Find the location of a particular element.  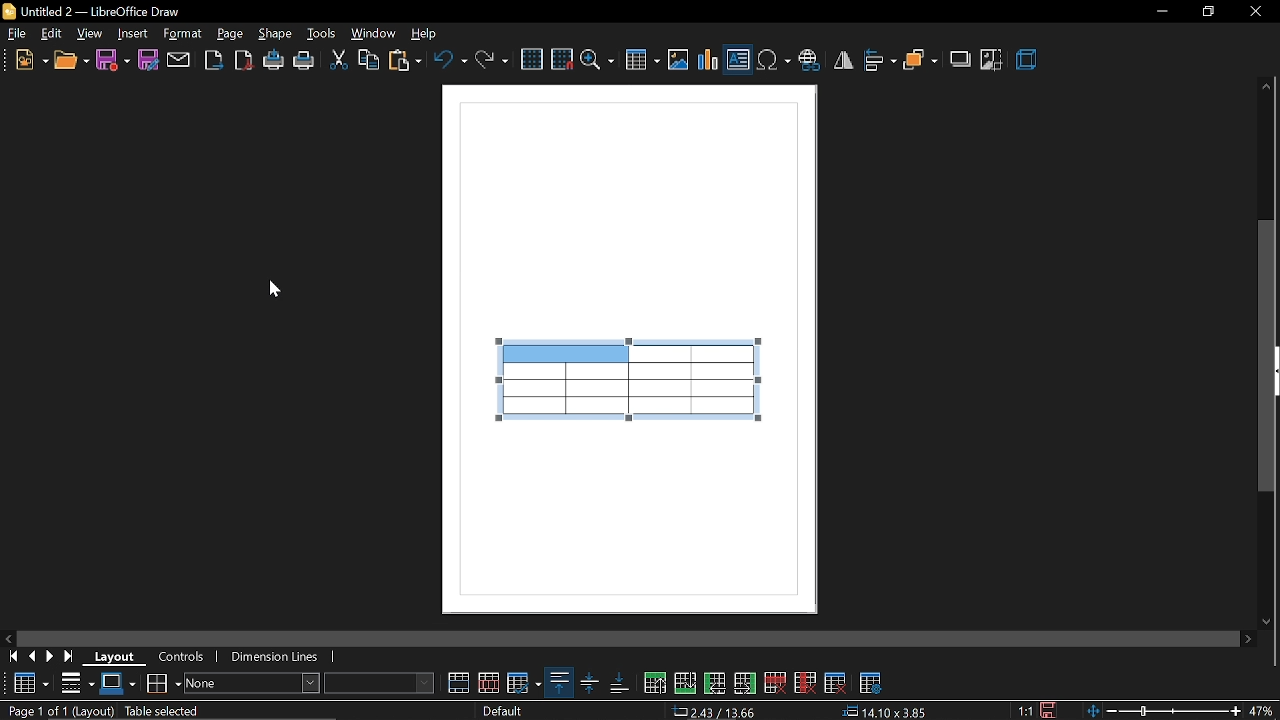

file is located at coordinates (14, 33).